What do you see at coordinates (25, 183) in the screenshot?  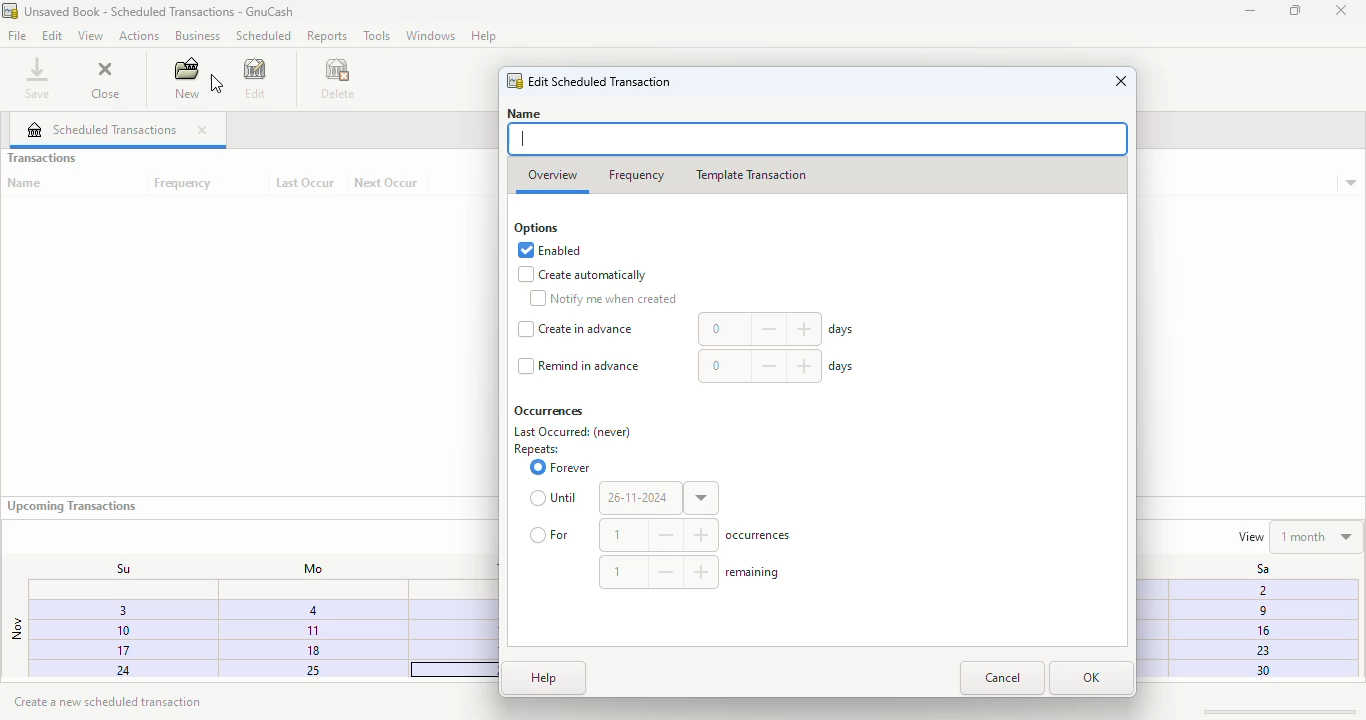 I see `name` at bounding box center [25, 183].